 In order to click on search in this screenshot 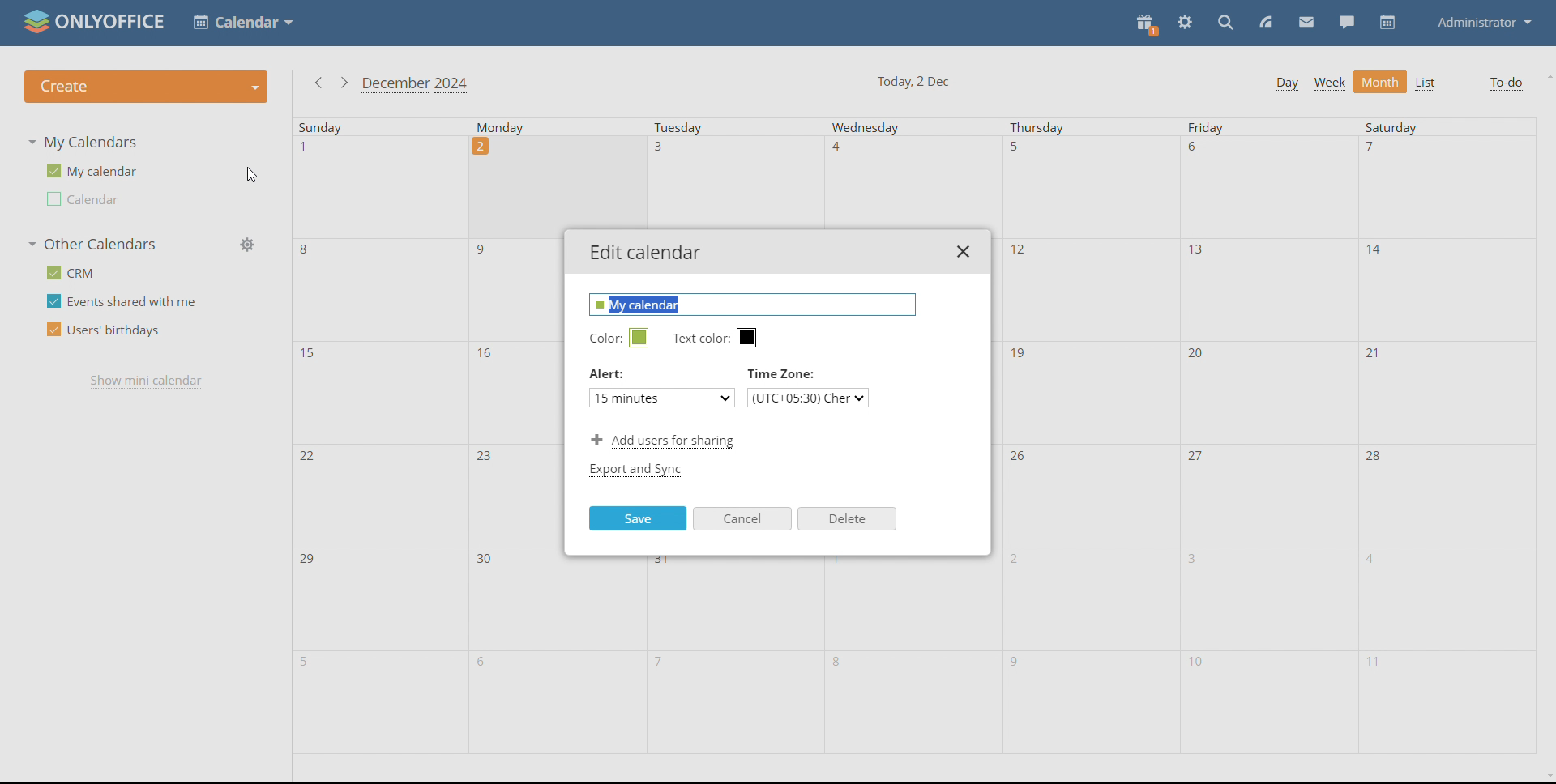, I will do `click(1225, 24)`.